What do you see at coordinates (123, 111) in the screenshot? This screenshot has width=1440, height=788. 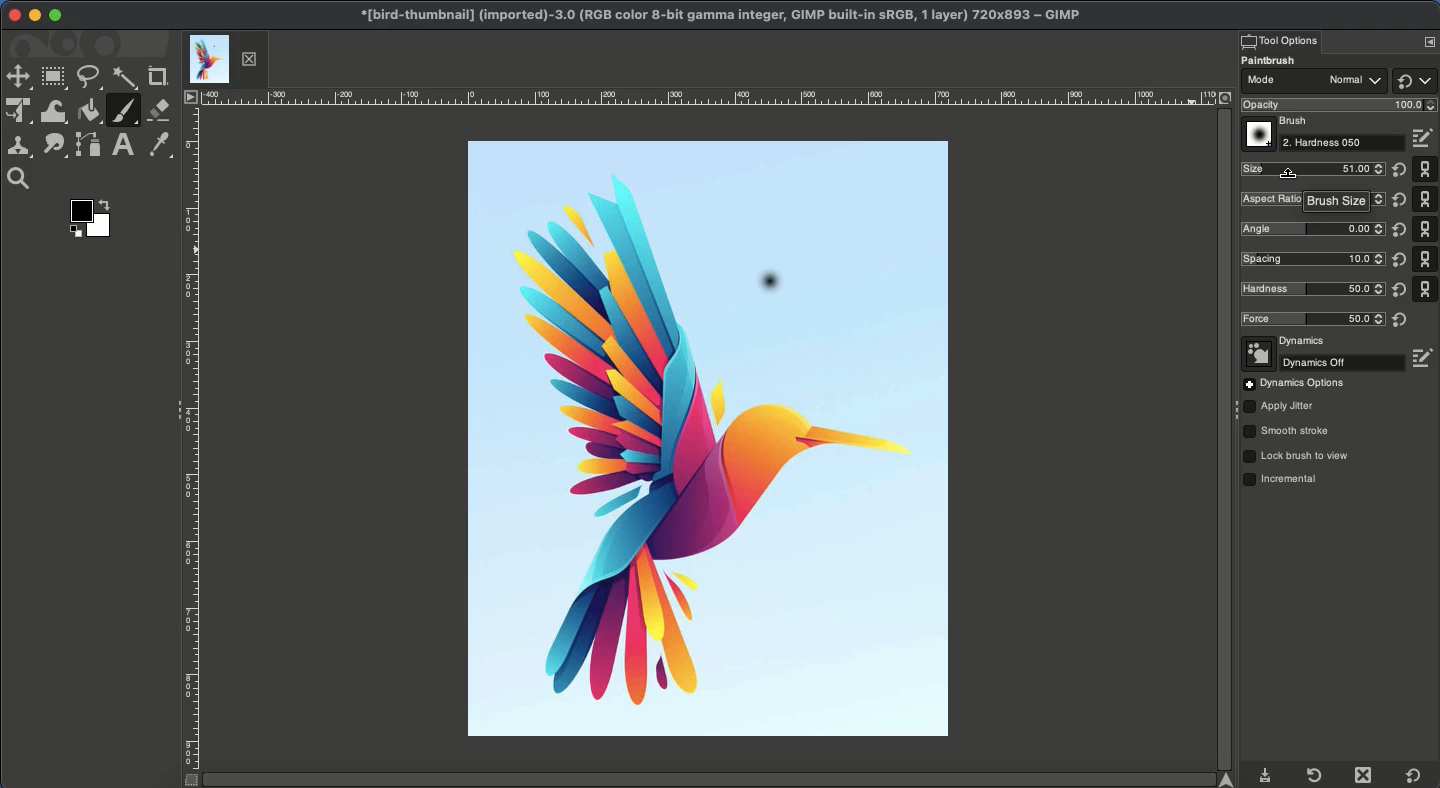 I see `Paintbrush` at bounding box center [123, 111].